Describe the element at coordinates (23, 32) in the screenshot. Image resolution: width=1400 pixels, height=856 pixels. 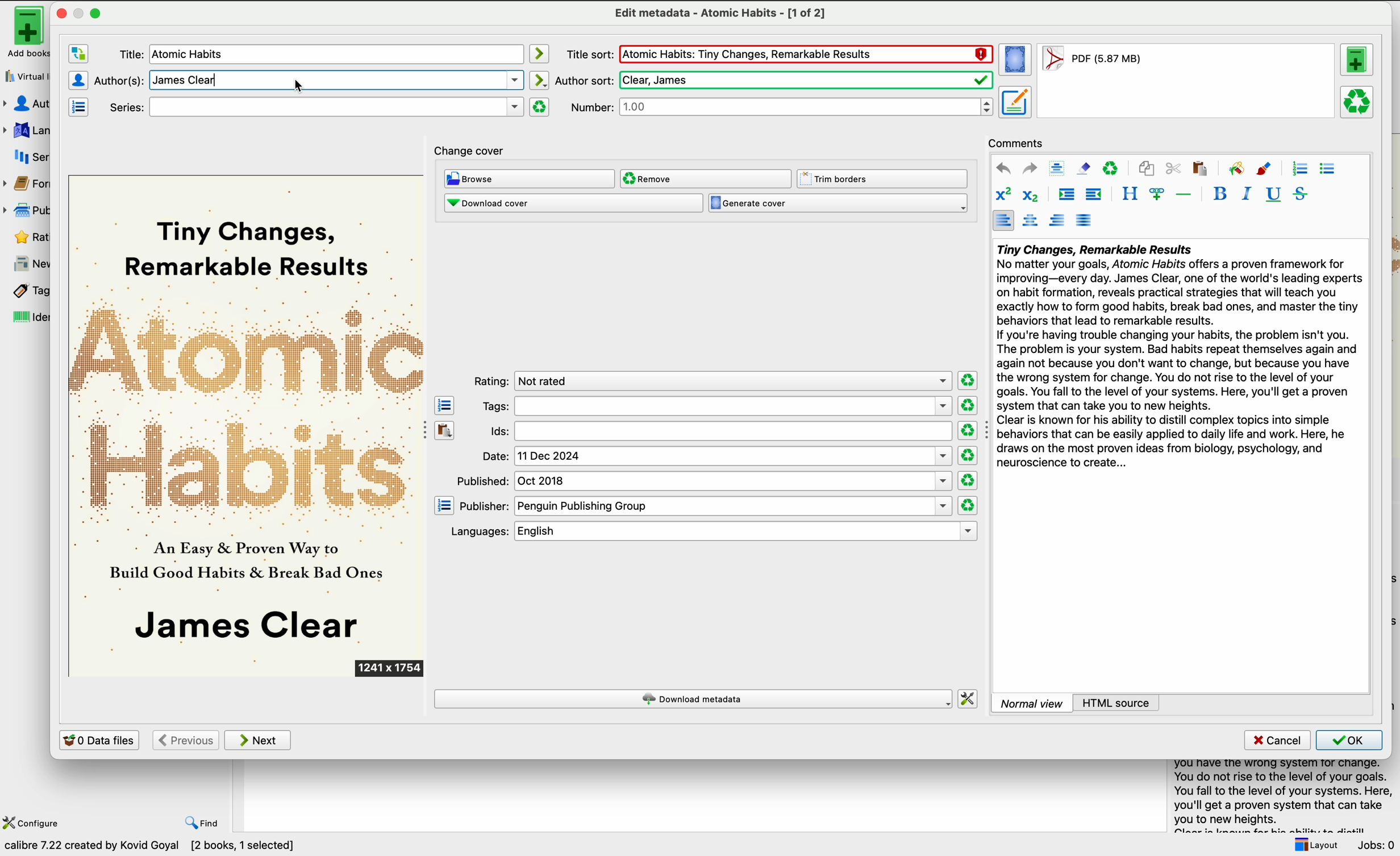
I see `add books` at that location.